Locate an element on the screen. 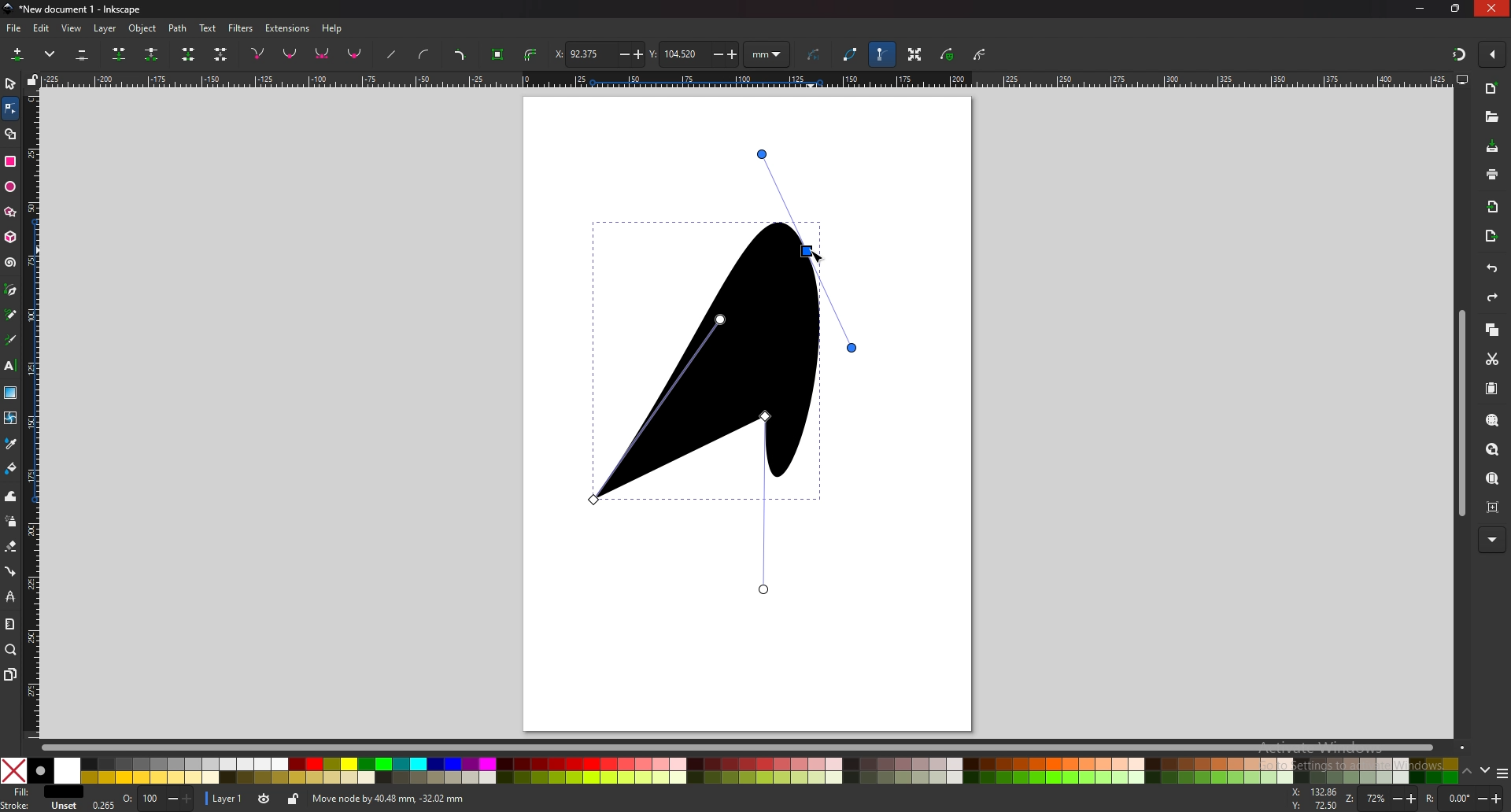 The image size is (1511, 812). gradient is located at coordinates (11, 393).